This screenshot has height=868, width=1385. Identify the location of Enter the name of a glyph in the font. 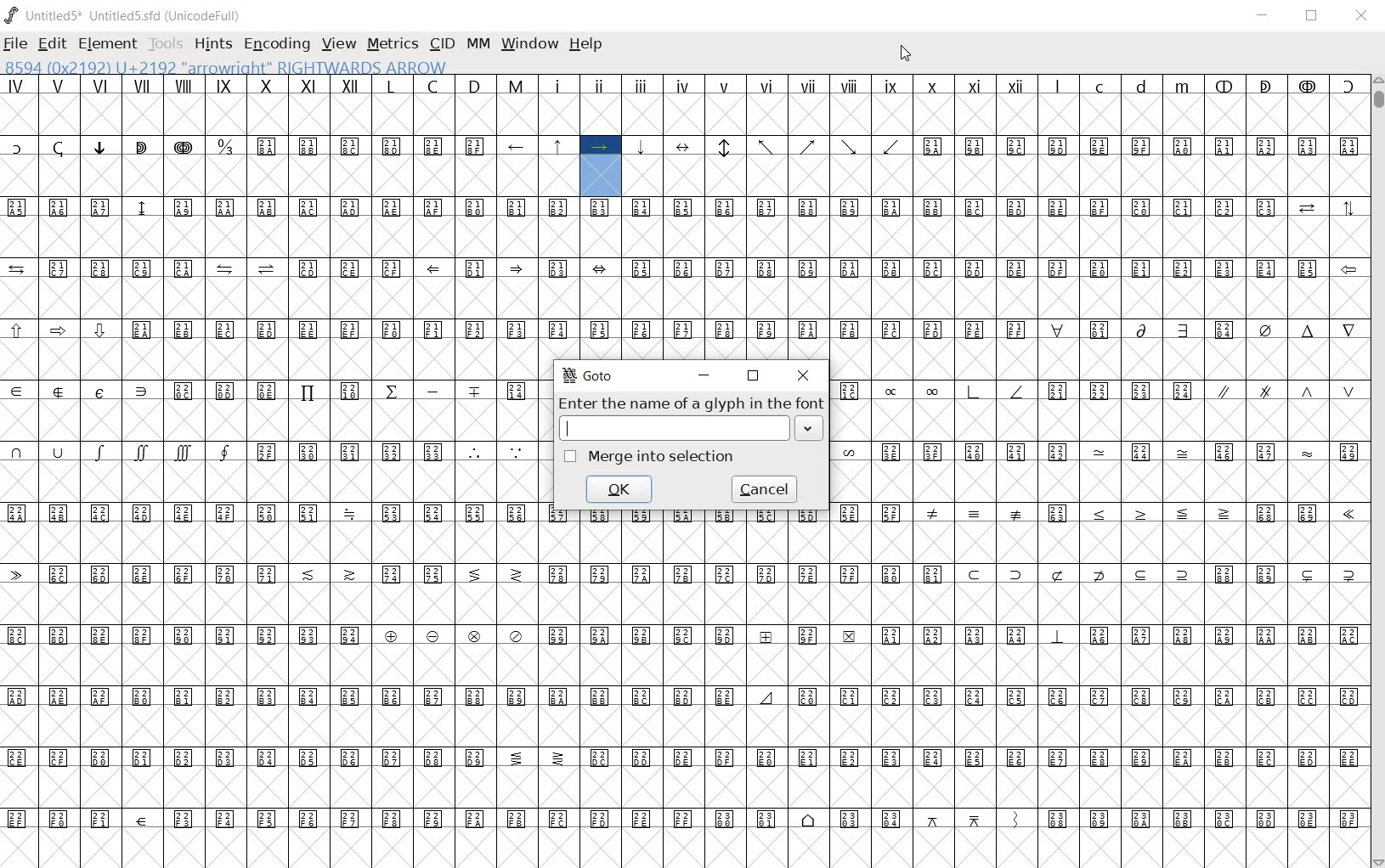
(691, 404).